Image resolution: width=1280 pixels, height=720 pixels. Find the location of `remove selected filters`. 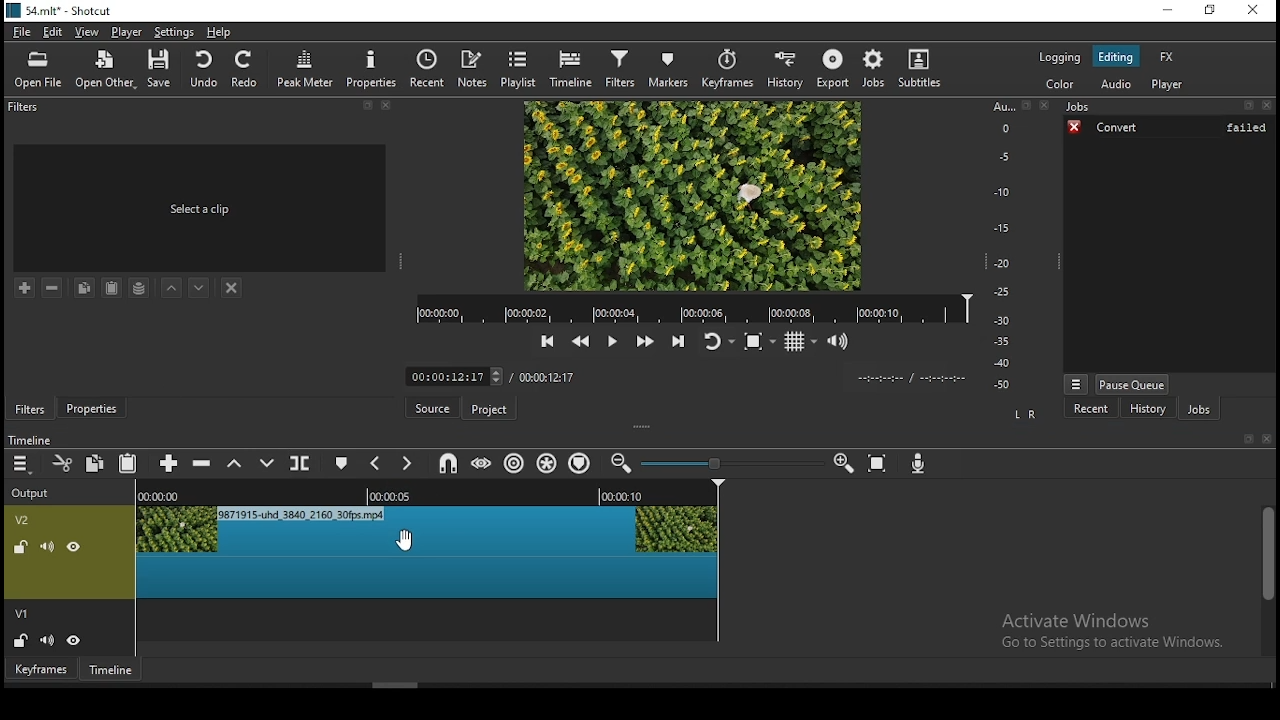

remove selected filters is located at coordinates (55, 286).